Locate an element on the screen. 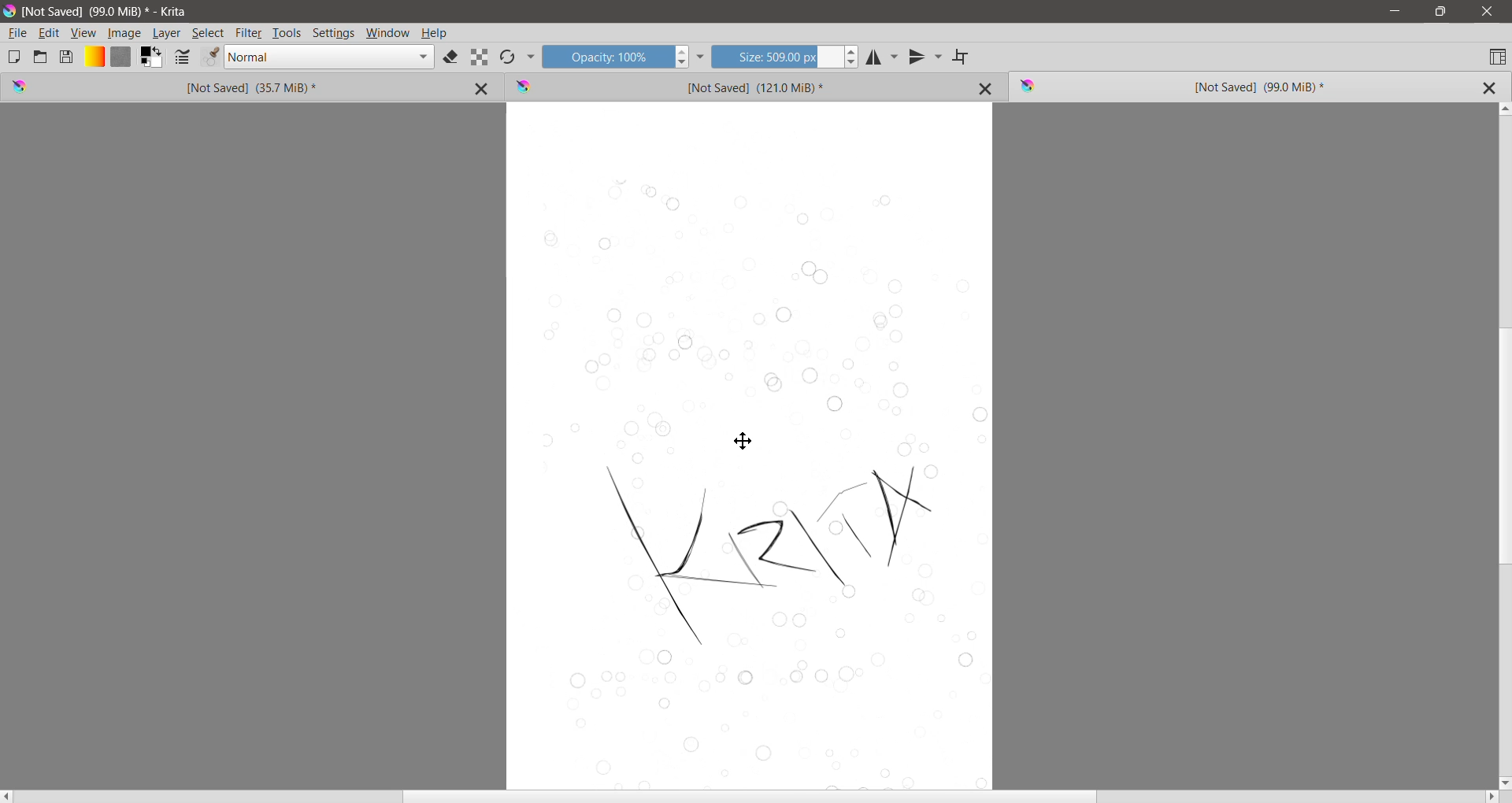 This screenshot has height=803, width=1512. Open an Existing Document is located at coordinates (40, 56).